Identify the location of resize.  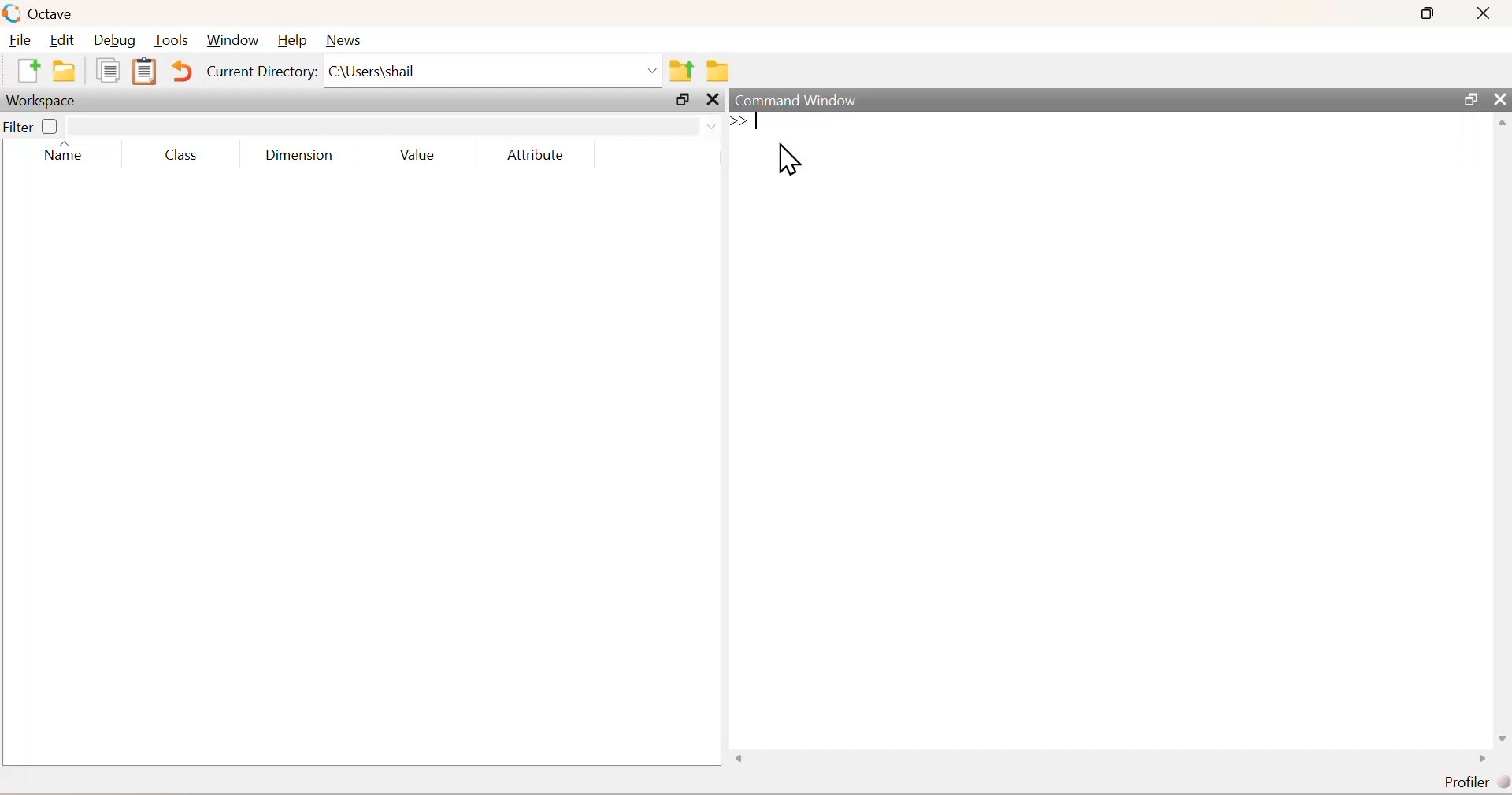
(684, 99).